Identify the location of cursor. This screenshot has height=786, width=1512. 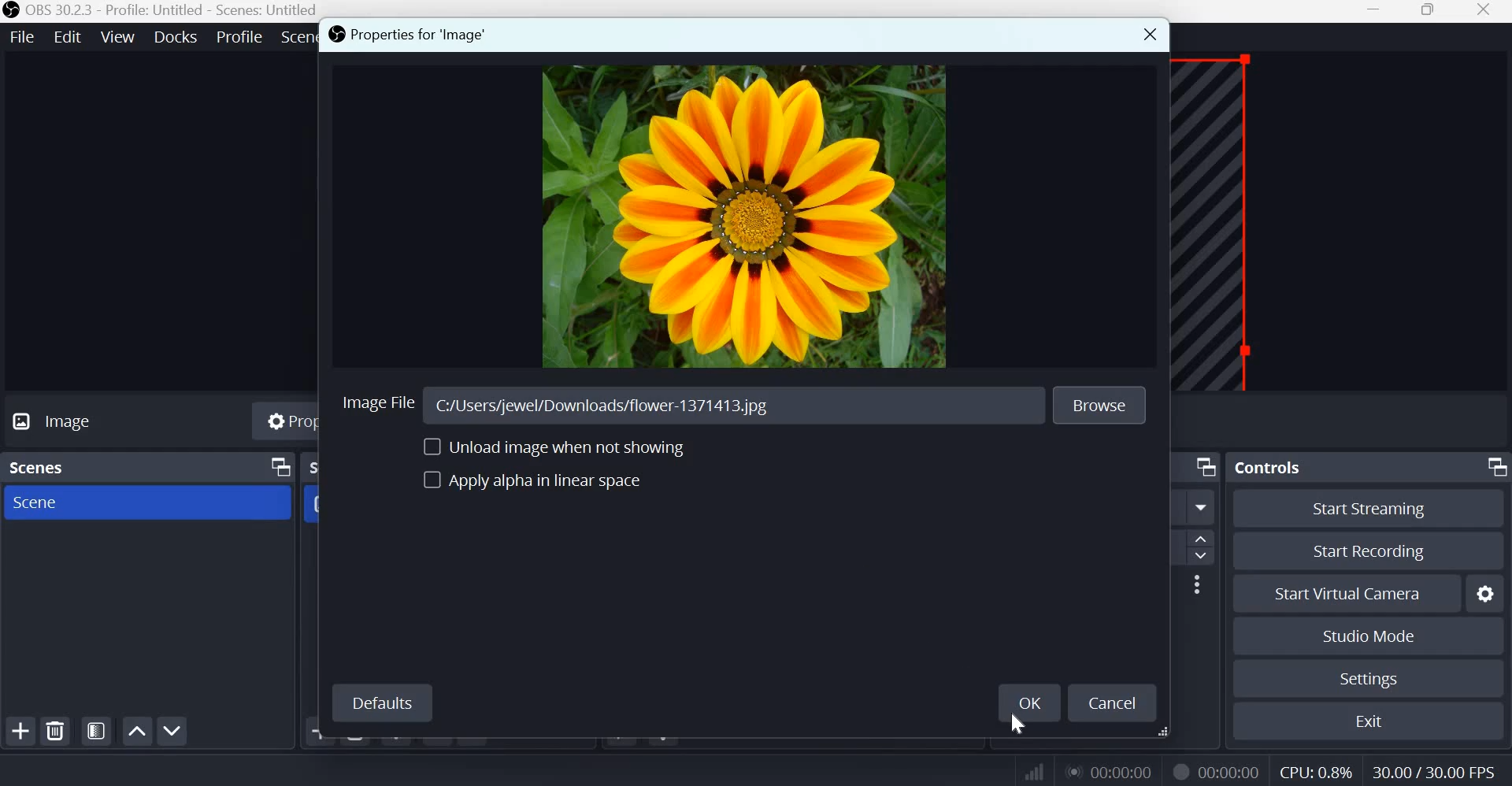
(1020, 723).